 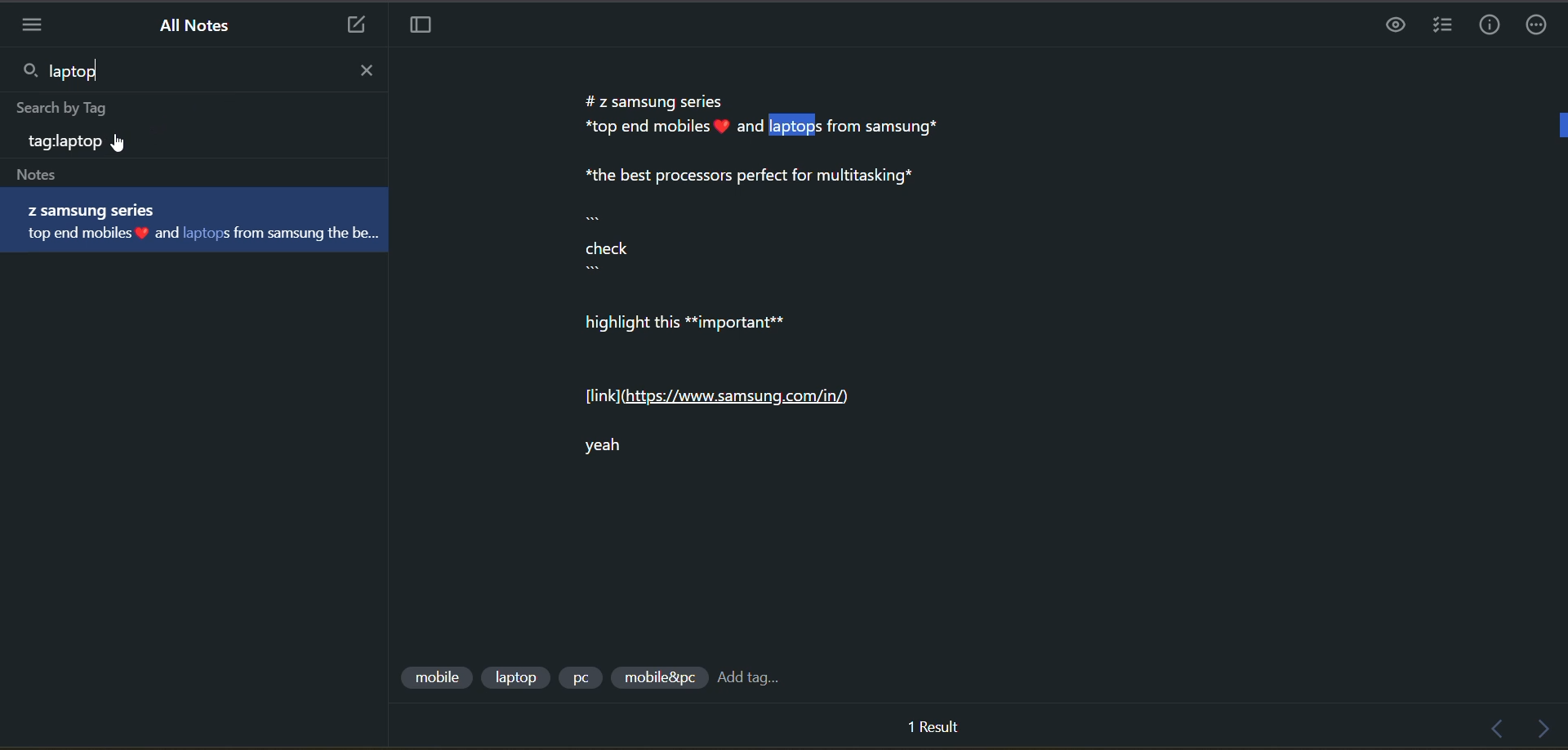 What do you see at coordinates (351, 26) in the screenshot?
I see `add new note` at bounding box center [351, 26].